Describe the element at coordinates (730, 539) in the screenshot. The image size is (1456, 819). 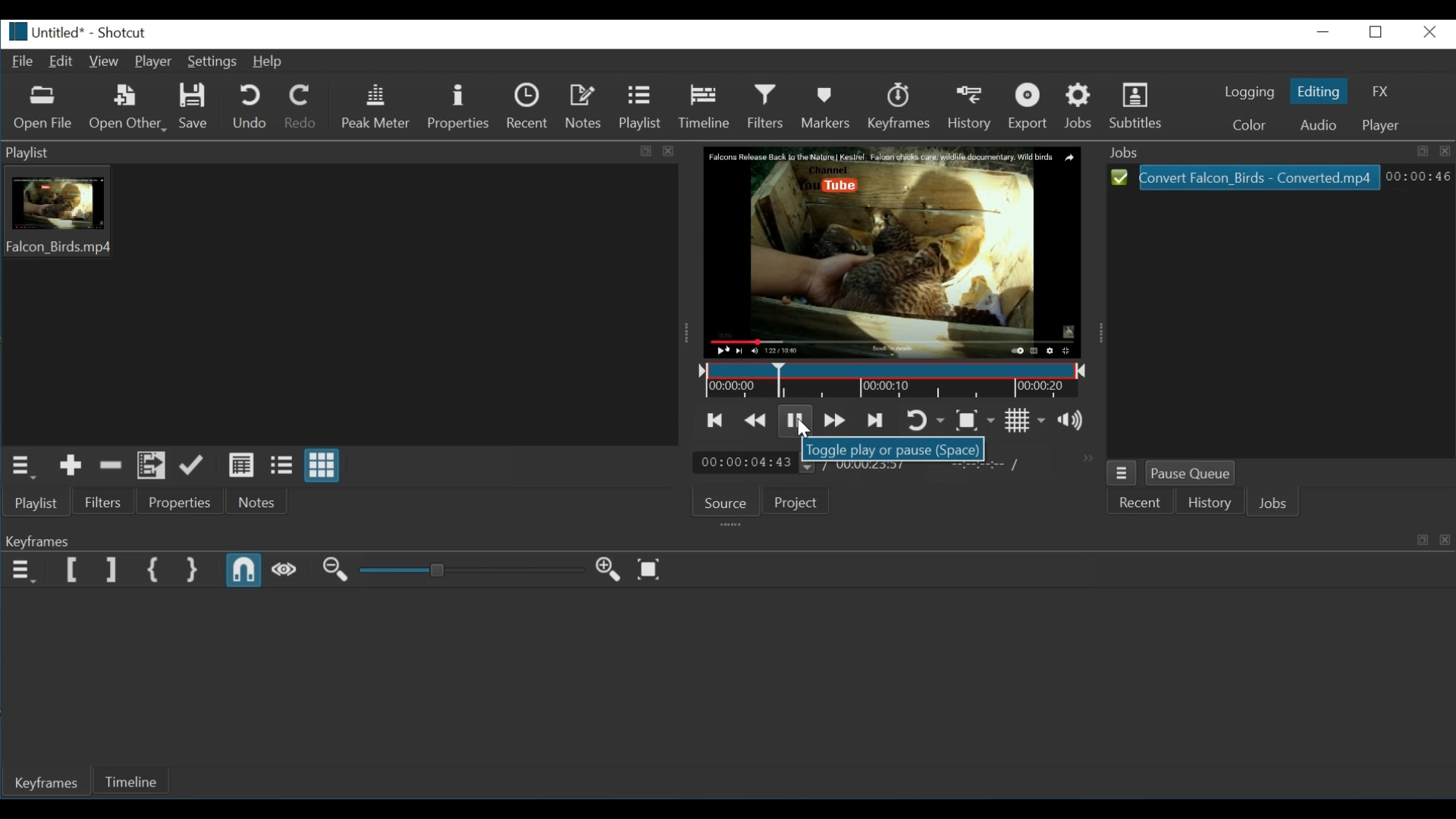
I see `Keyframes` at that location.